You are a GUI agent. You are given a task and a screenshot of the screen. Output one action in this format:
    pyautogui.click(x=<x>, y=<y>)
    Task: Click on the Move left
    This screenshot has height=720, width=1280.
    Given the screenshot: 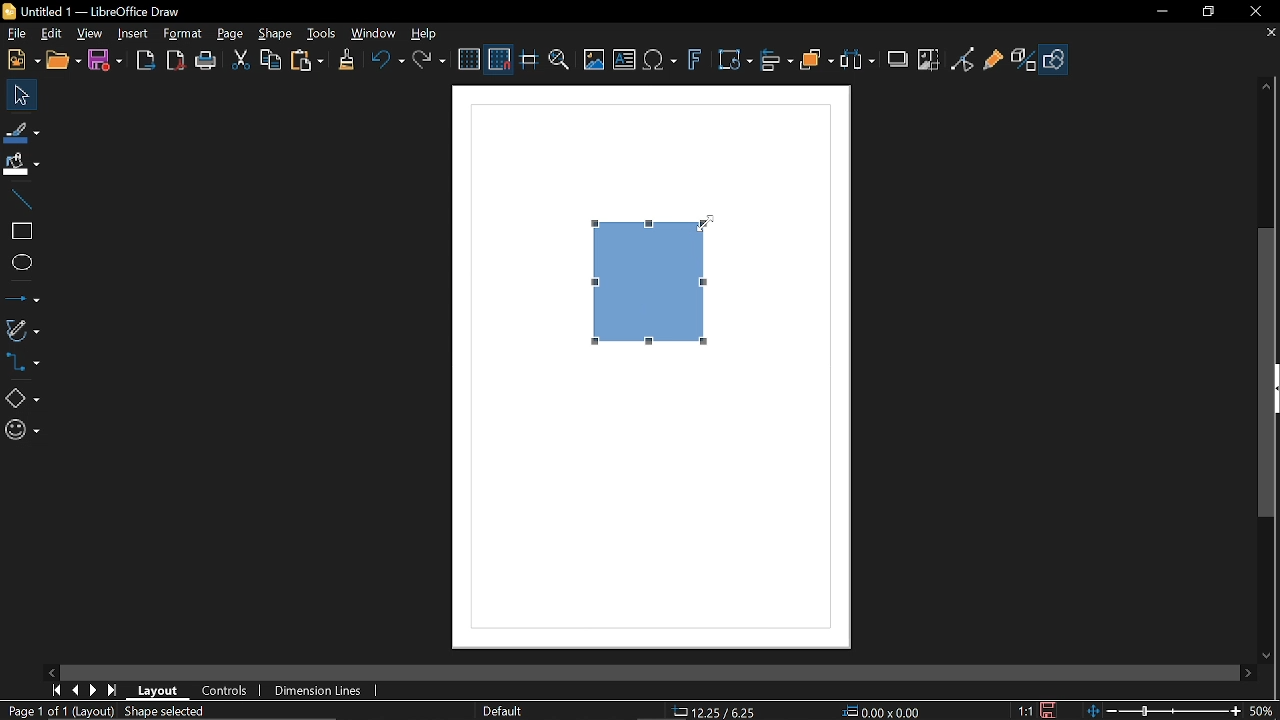 What is the action you would take?
    pyautogui.click(x=49, y=669)
    